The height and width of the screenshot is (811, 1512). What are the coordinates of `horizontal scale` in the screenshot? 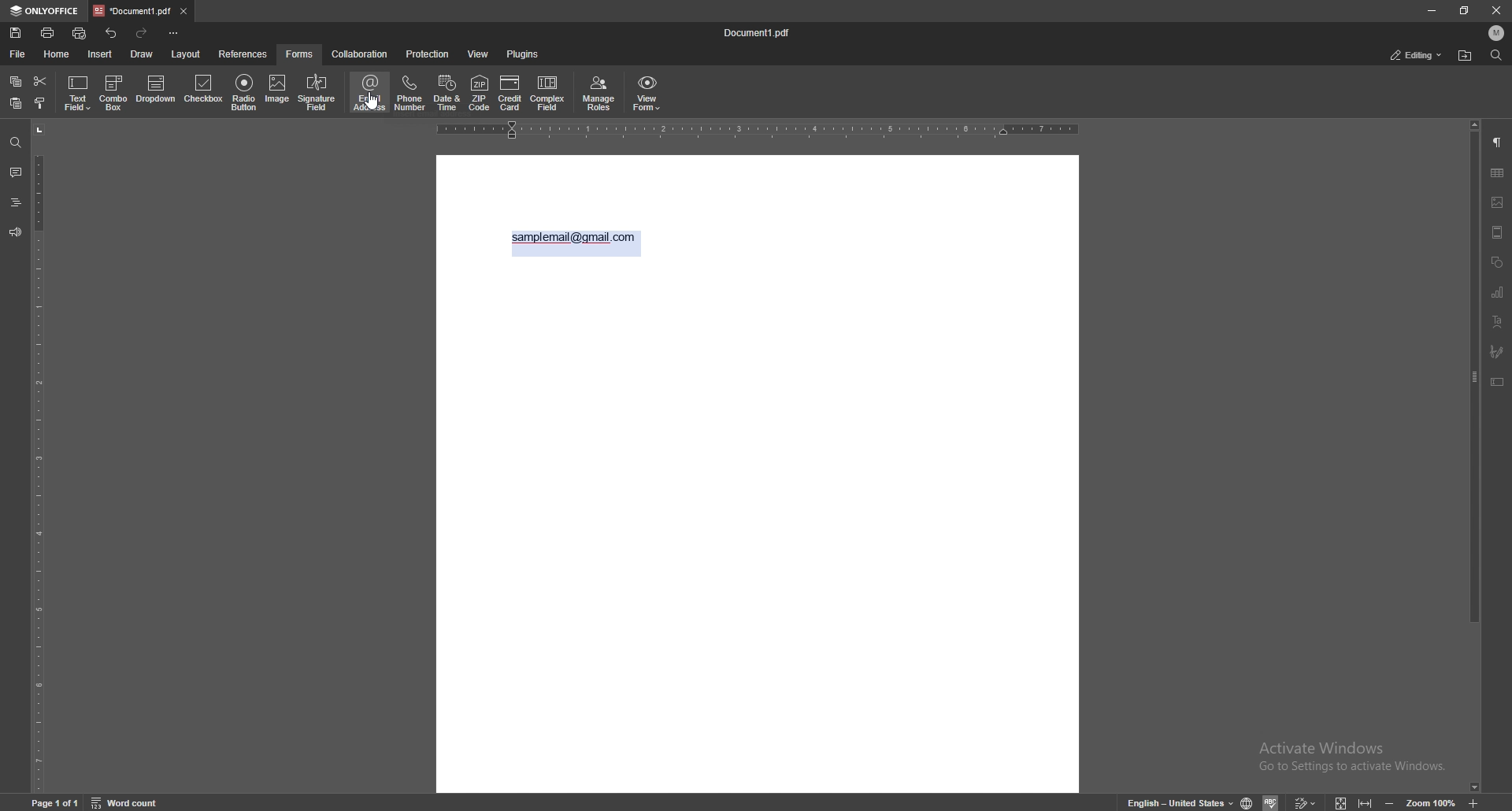 It's located at (758, 131).